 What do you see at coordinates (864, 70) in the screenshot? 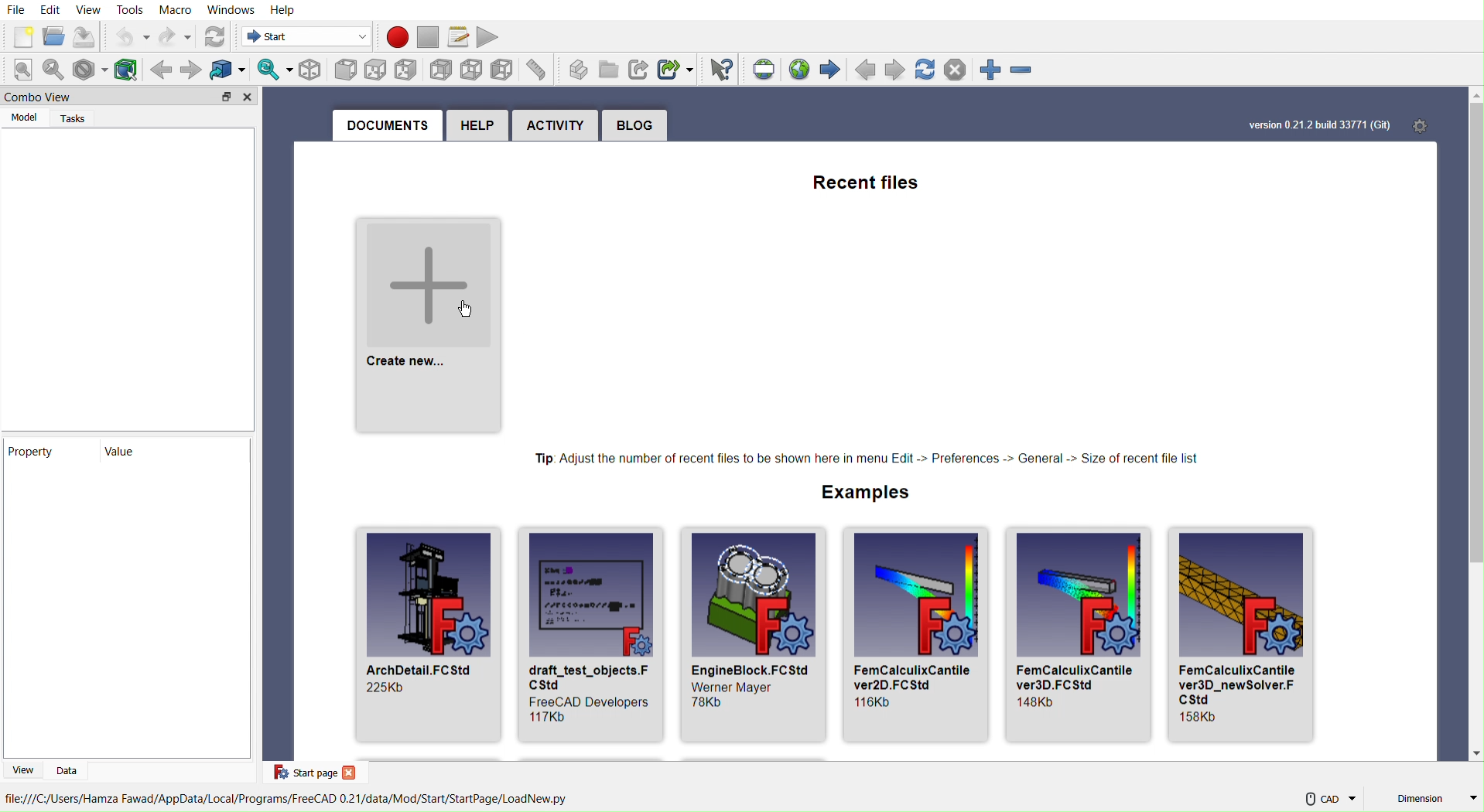
I see `Previous page` at bounding box center [864, 70].